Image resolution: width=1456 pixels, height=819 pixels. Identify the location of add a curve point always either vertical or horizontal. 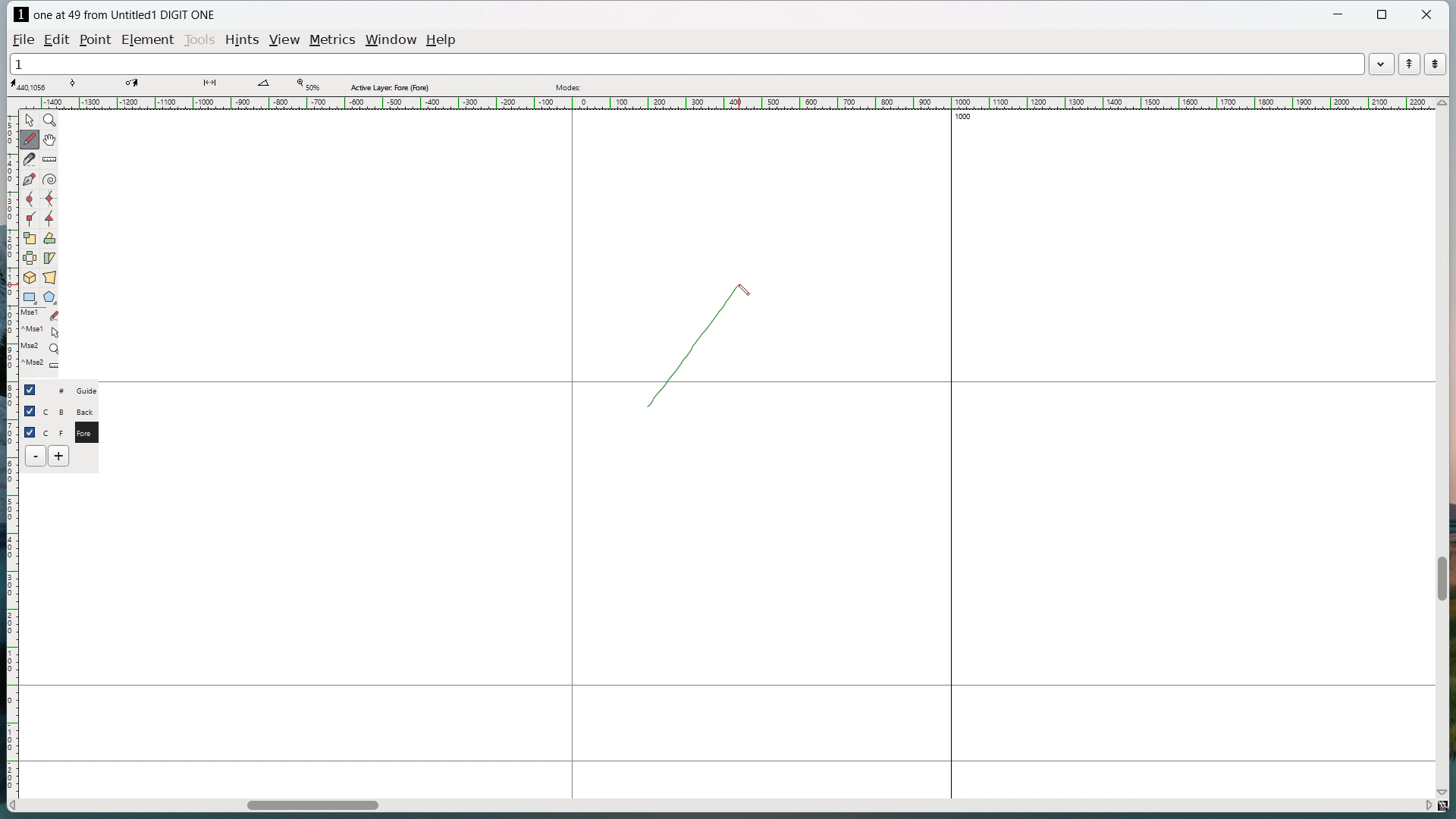
(49, 199).